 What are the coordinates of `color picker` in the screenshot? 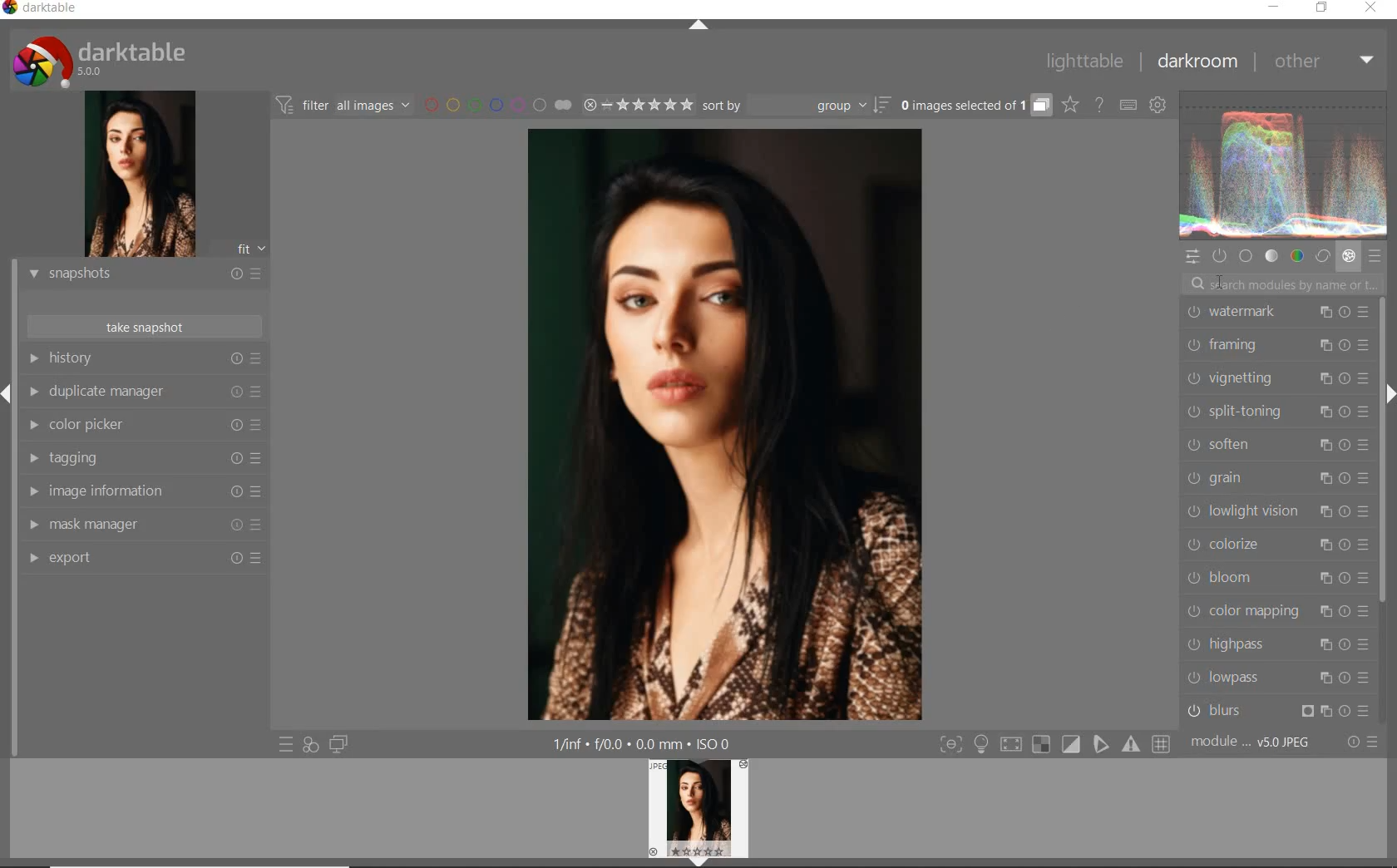 It's located at (144, 425).